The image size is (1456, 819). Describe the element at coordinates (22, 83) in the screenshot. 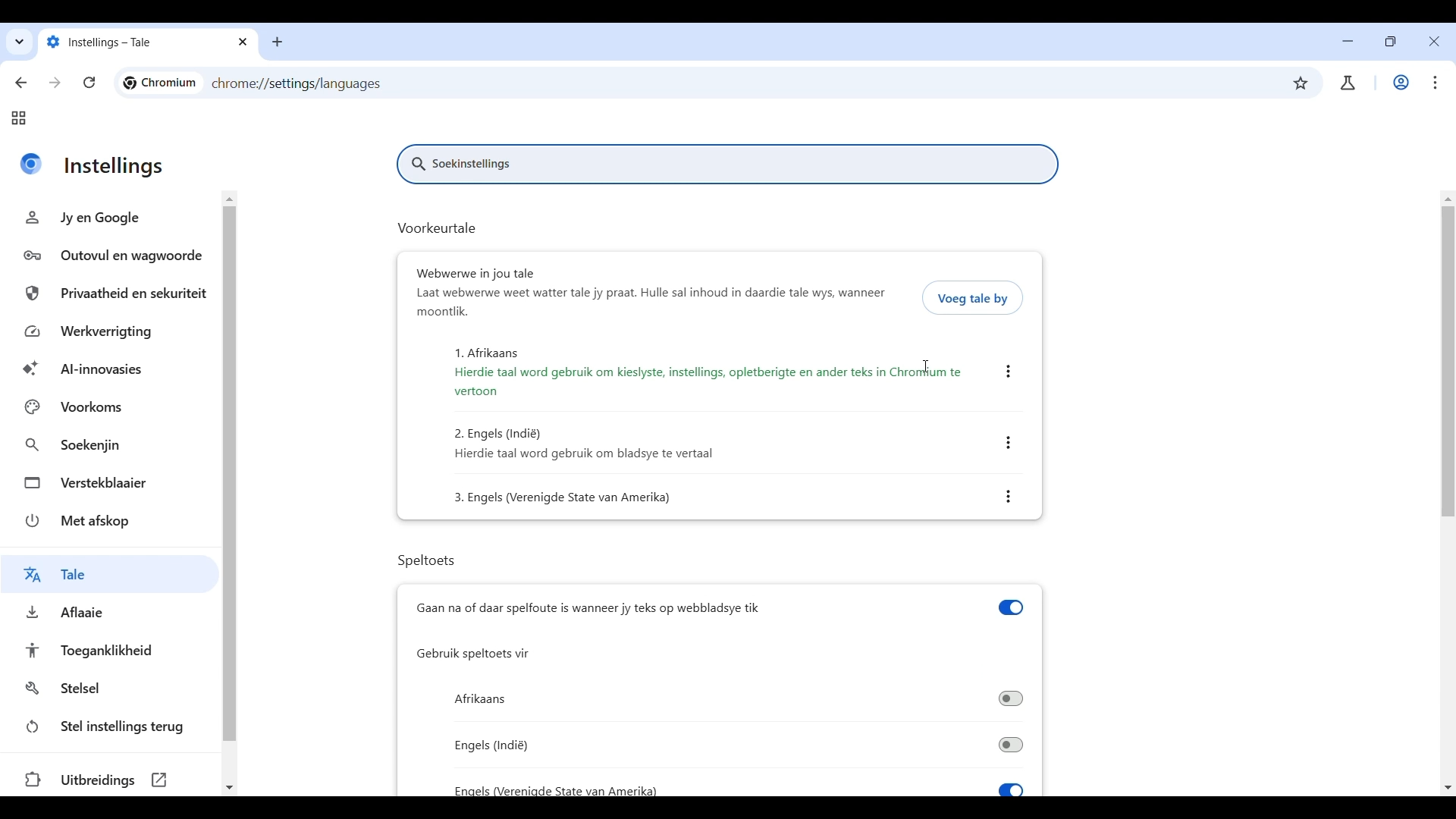

I see `Go back` at that location.